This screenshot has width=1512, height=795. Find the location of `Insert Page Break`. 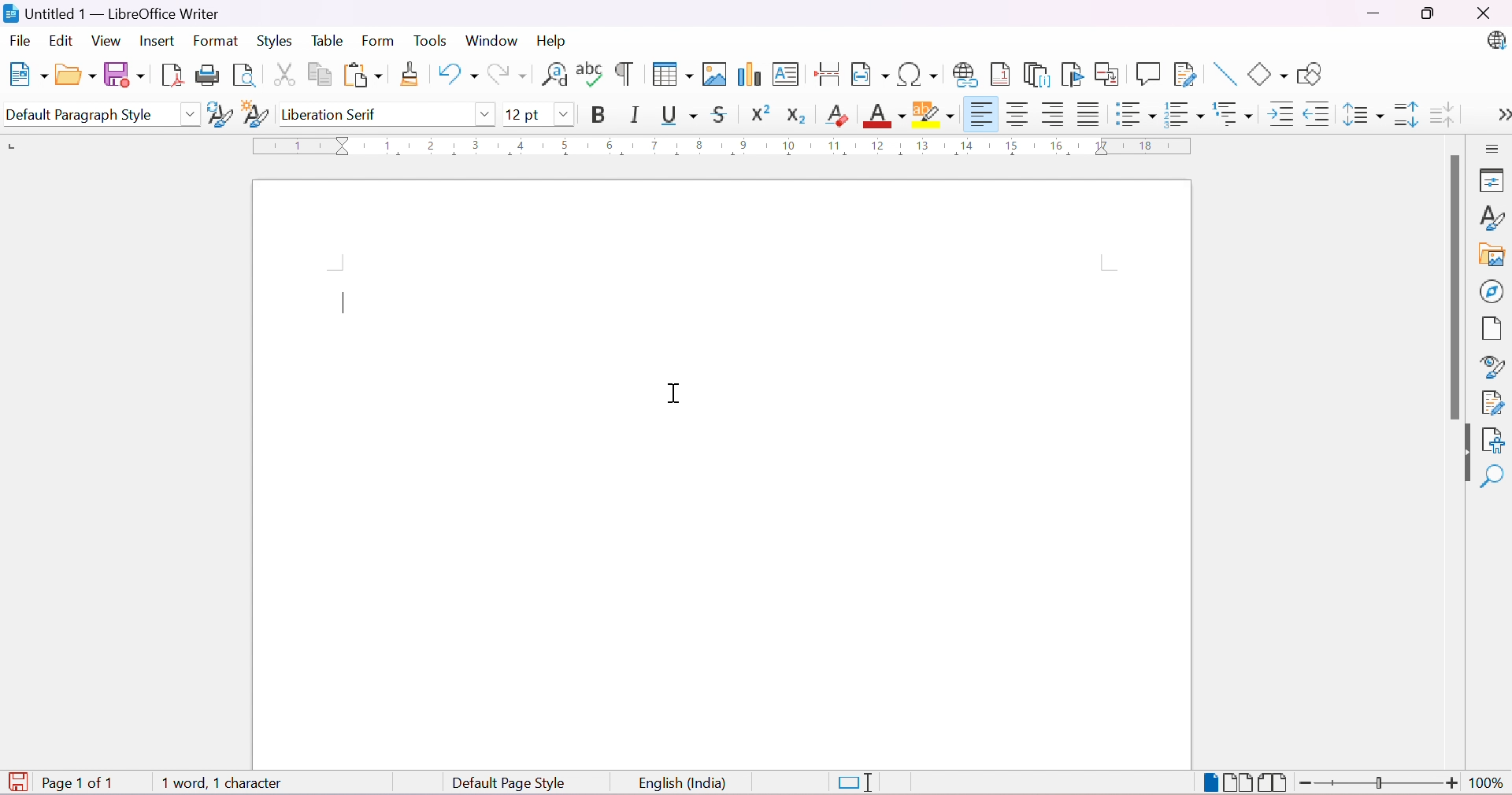

Insert Page Break is located at coordinates (828, 76).